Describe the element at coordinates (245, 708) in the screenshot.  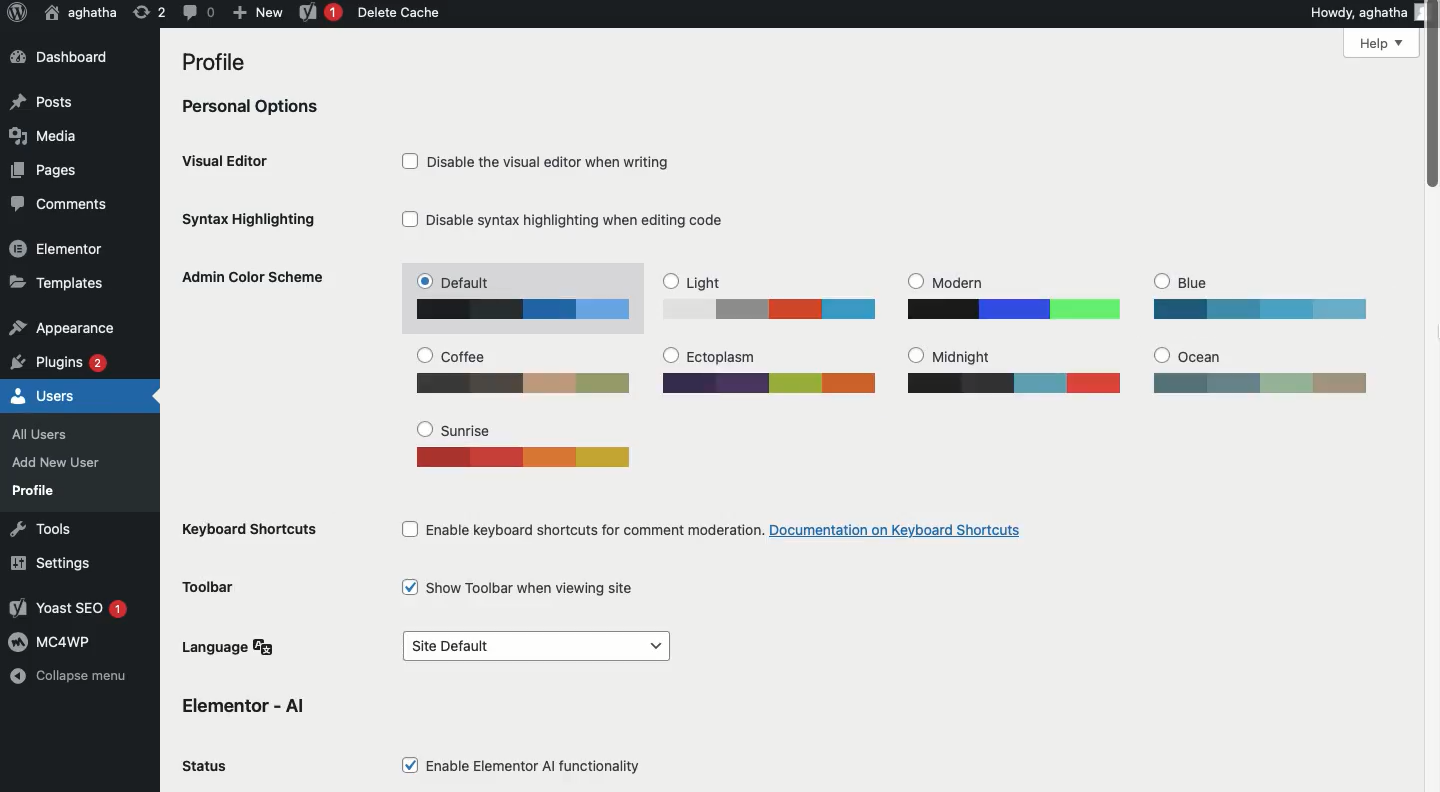
I see `Elementor AI` at that location.